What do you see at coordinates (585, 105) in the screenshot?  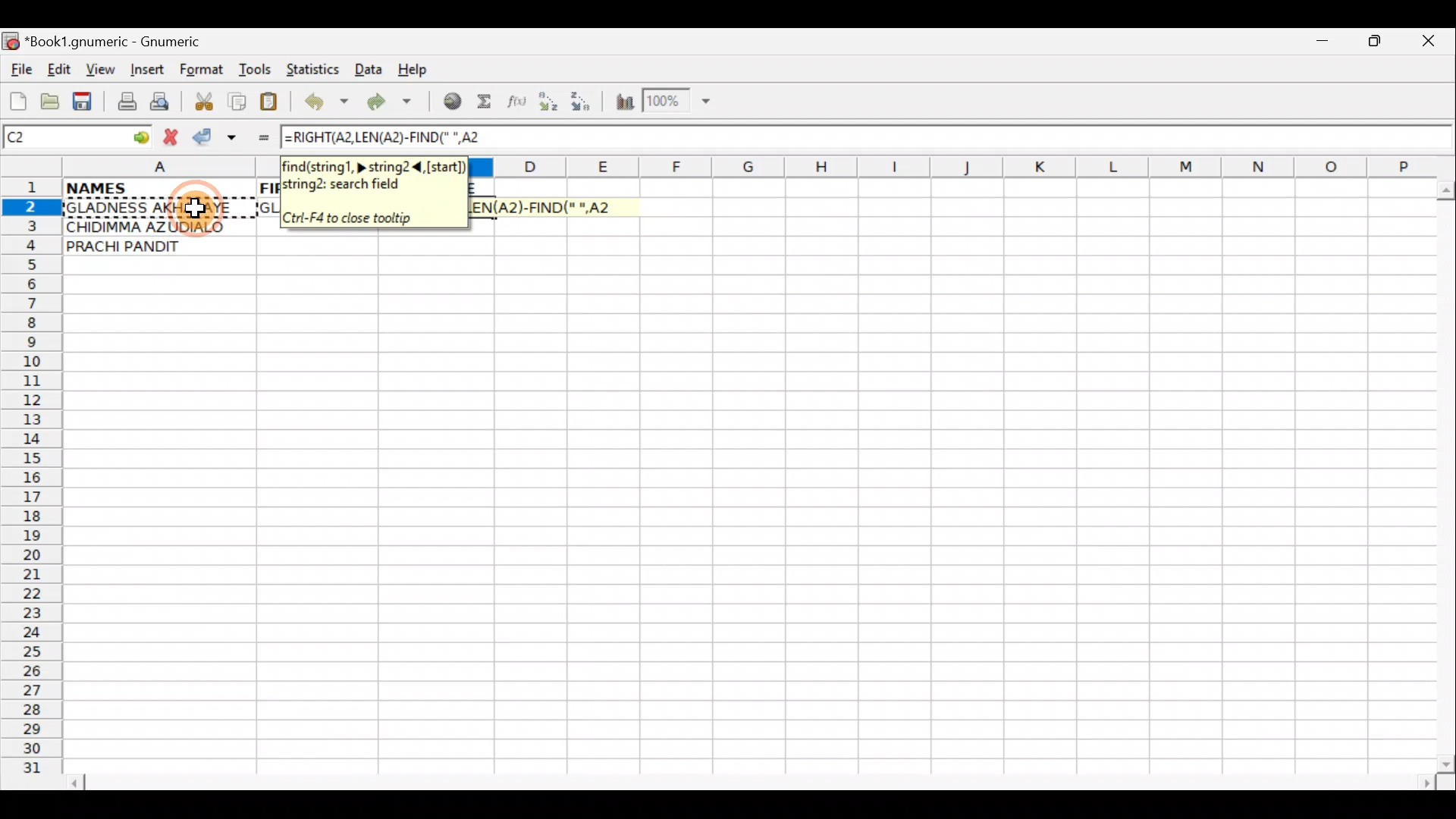 I see `Sort Descending order` at bounding box center [585, 105].